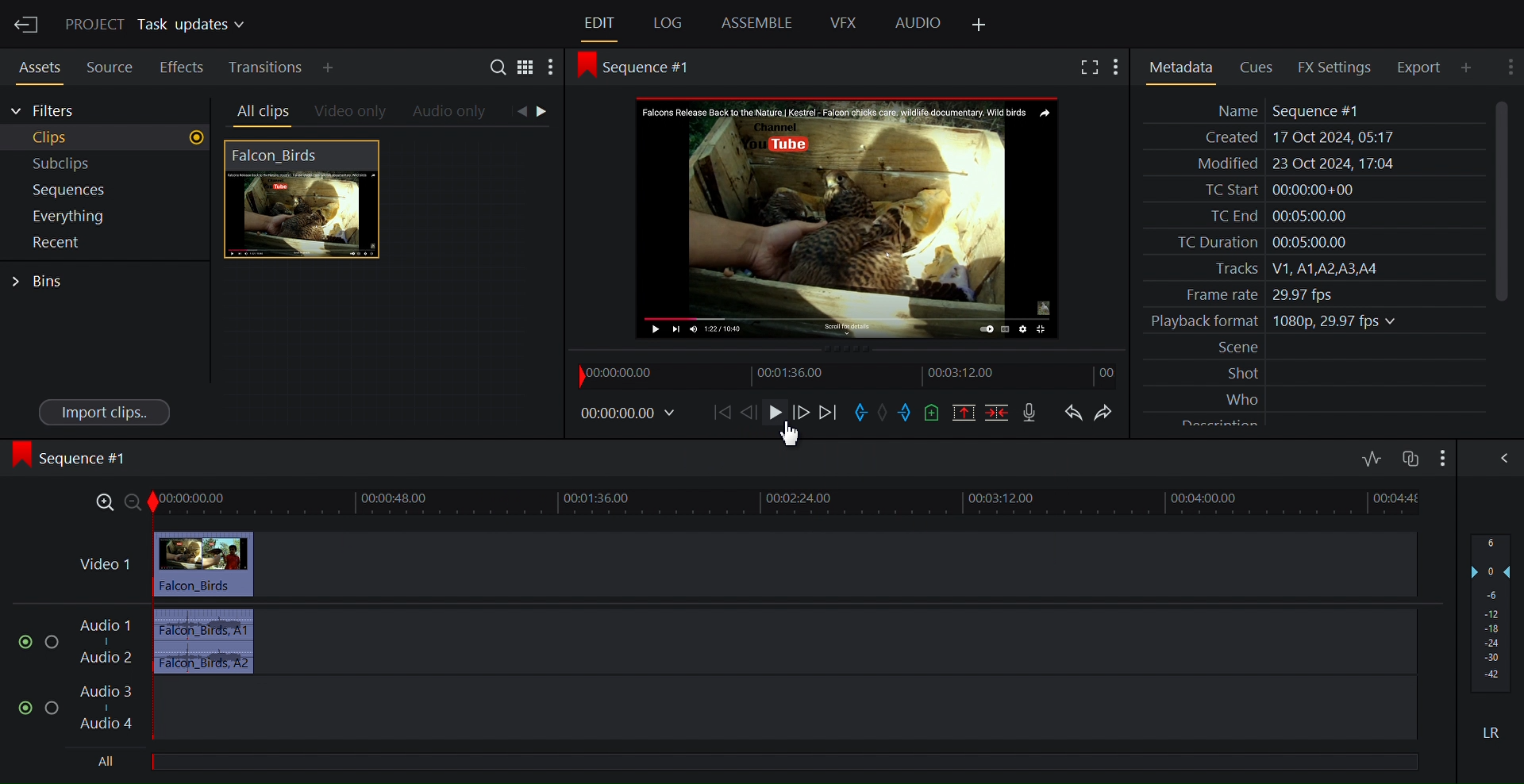  I want to click on Add a cue, so click(935, 413).